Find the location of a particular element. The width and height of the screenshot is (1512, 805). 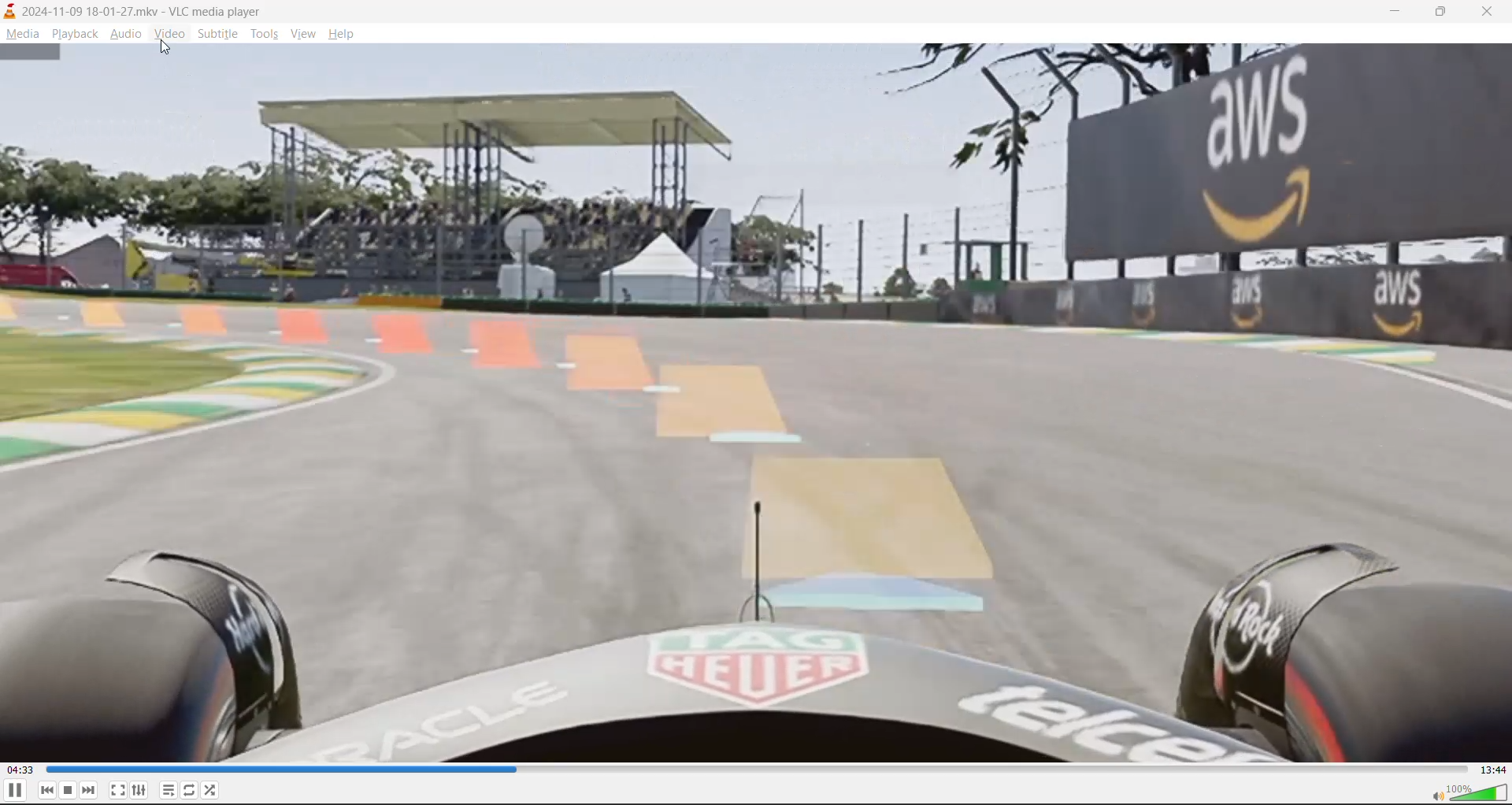

settings is located at coordinates (138, 789).